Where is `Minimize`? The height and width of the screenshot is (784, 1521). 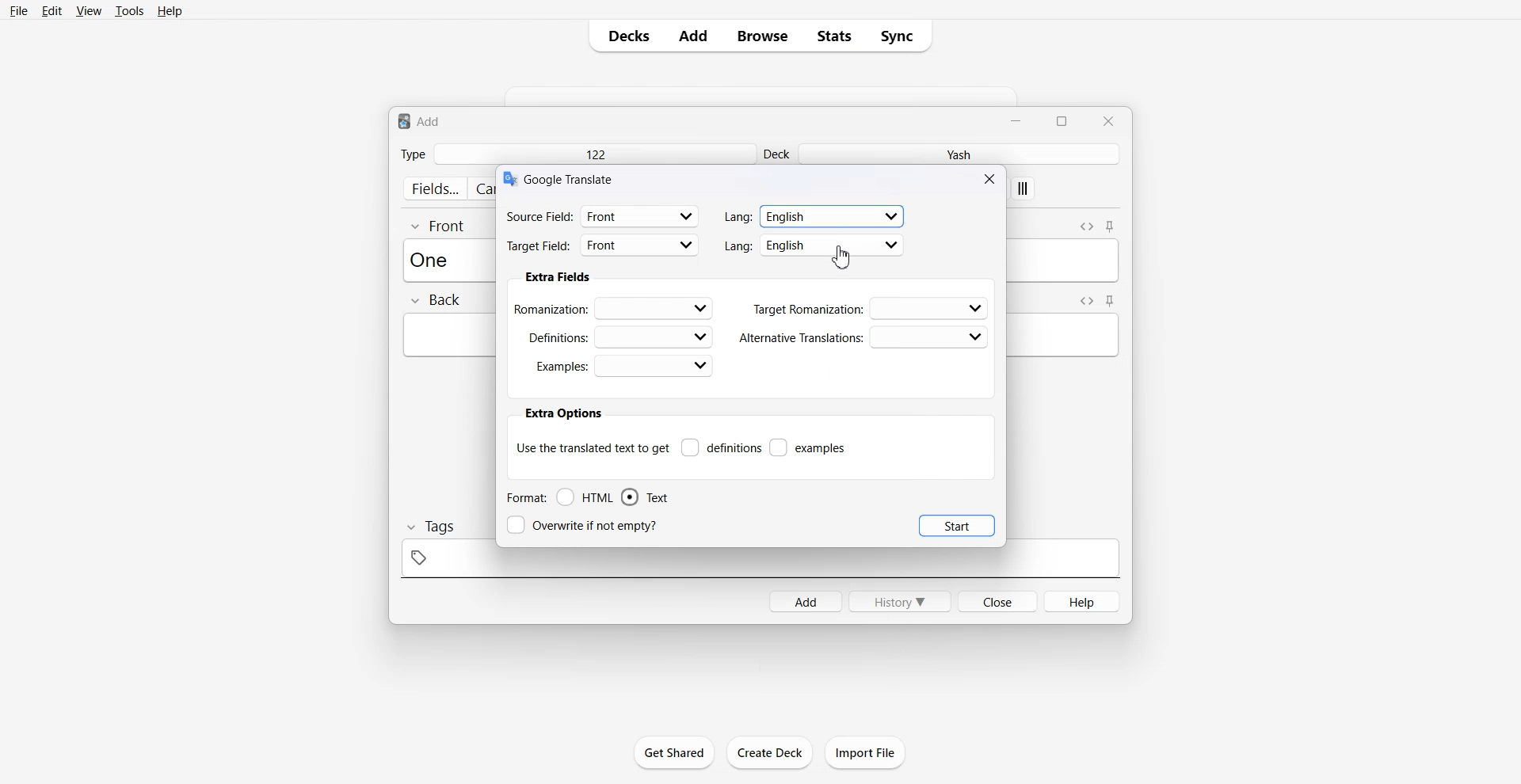 Minimize is located at coordinates (1018, 120).